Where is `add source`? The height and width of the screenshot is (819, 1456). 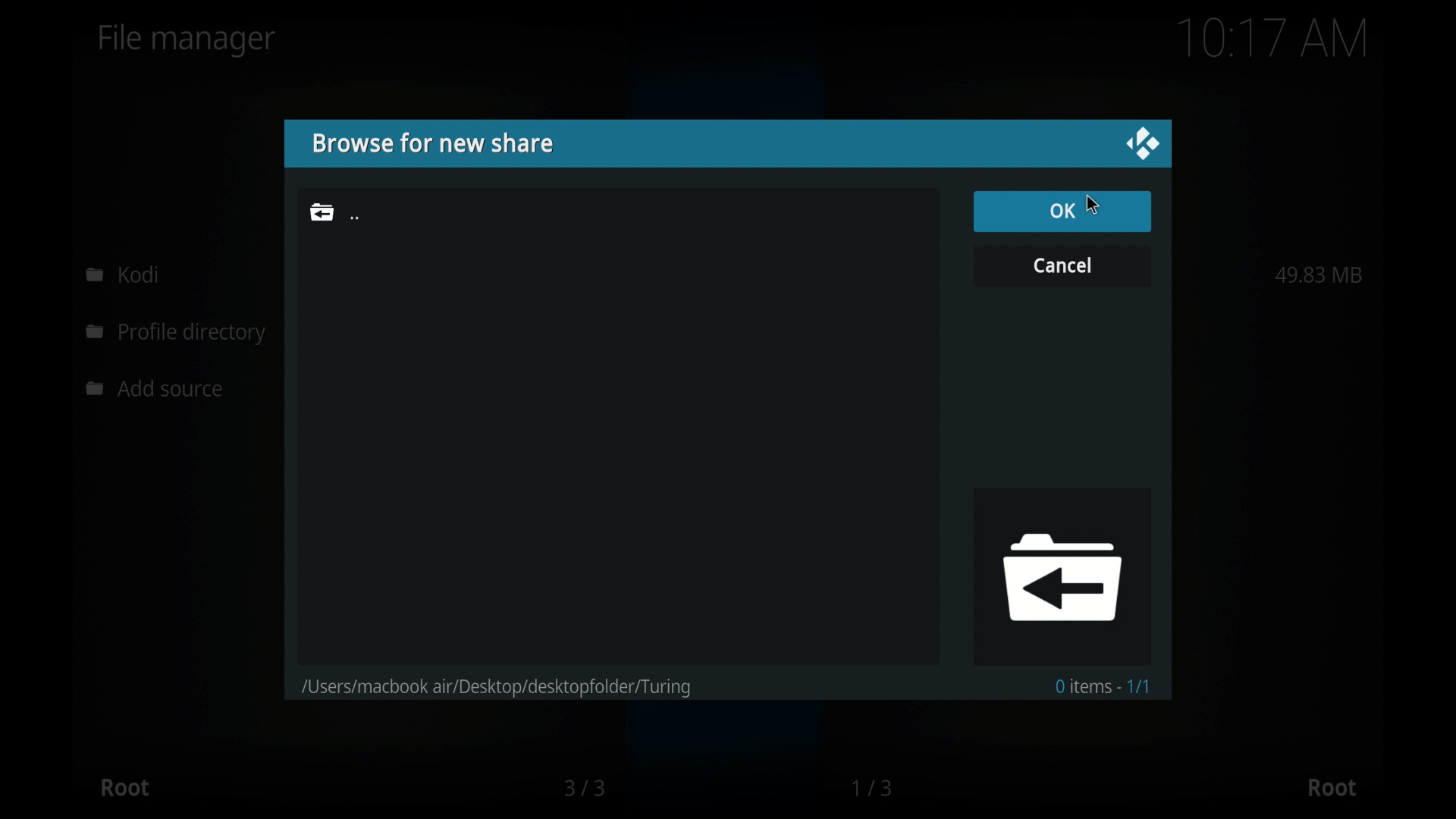 add source is located at coordinates (158, 389).